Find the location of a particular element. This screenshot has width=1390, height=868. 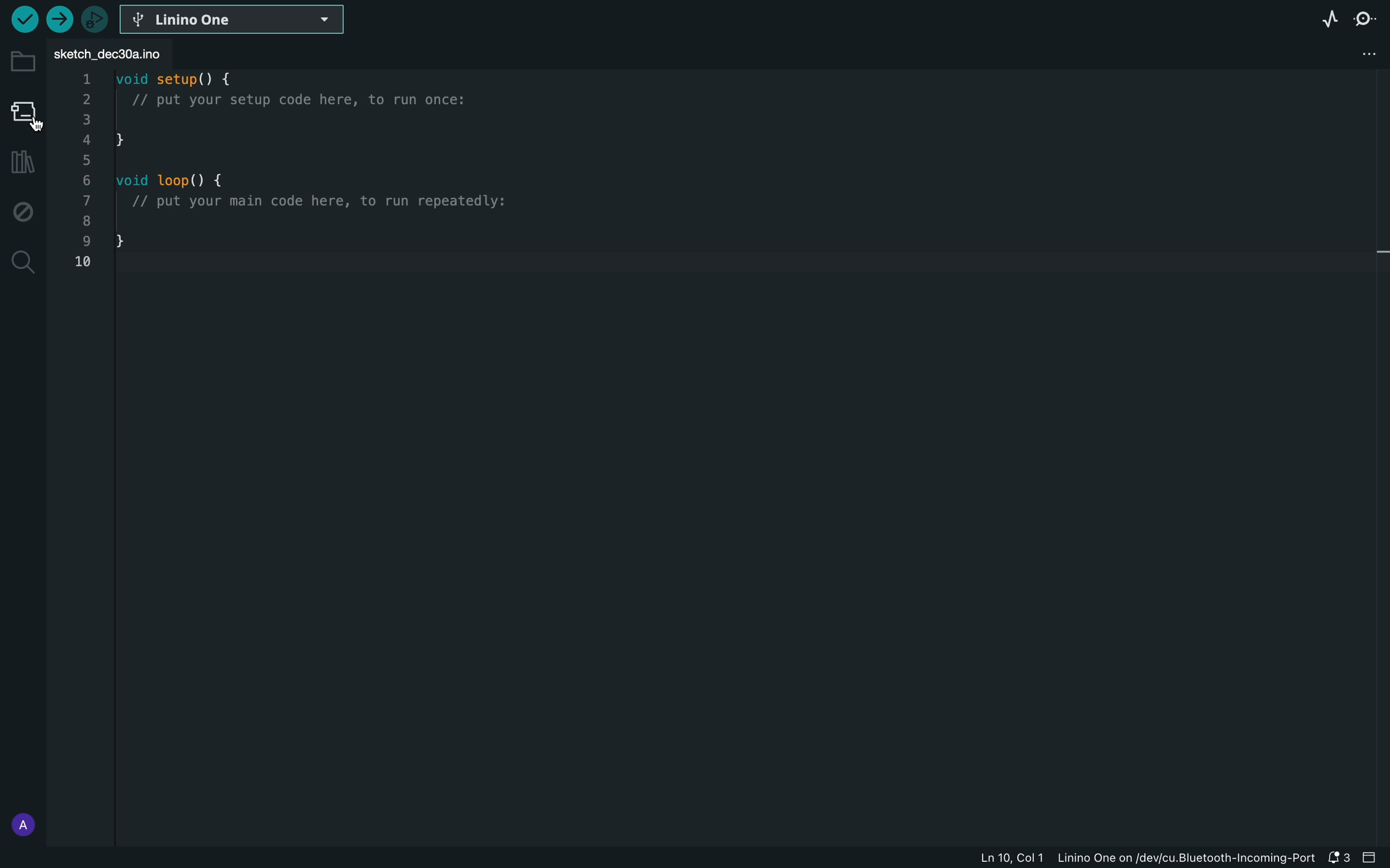

code is located at coordinates (322, 181).